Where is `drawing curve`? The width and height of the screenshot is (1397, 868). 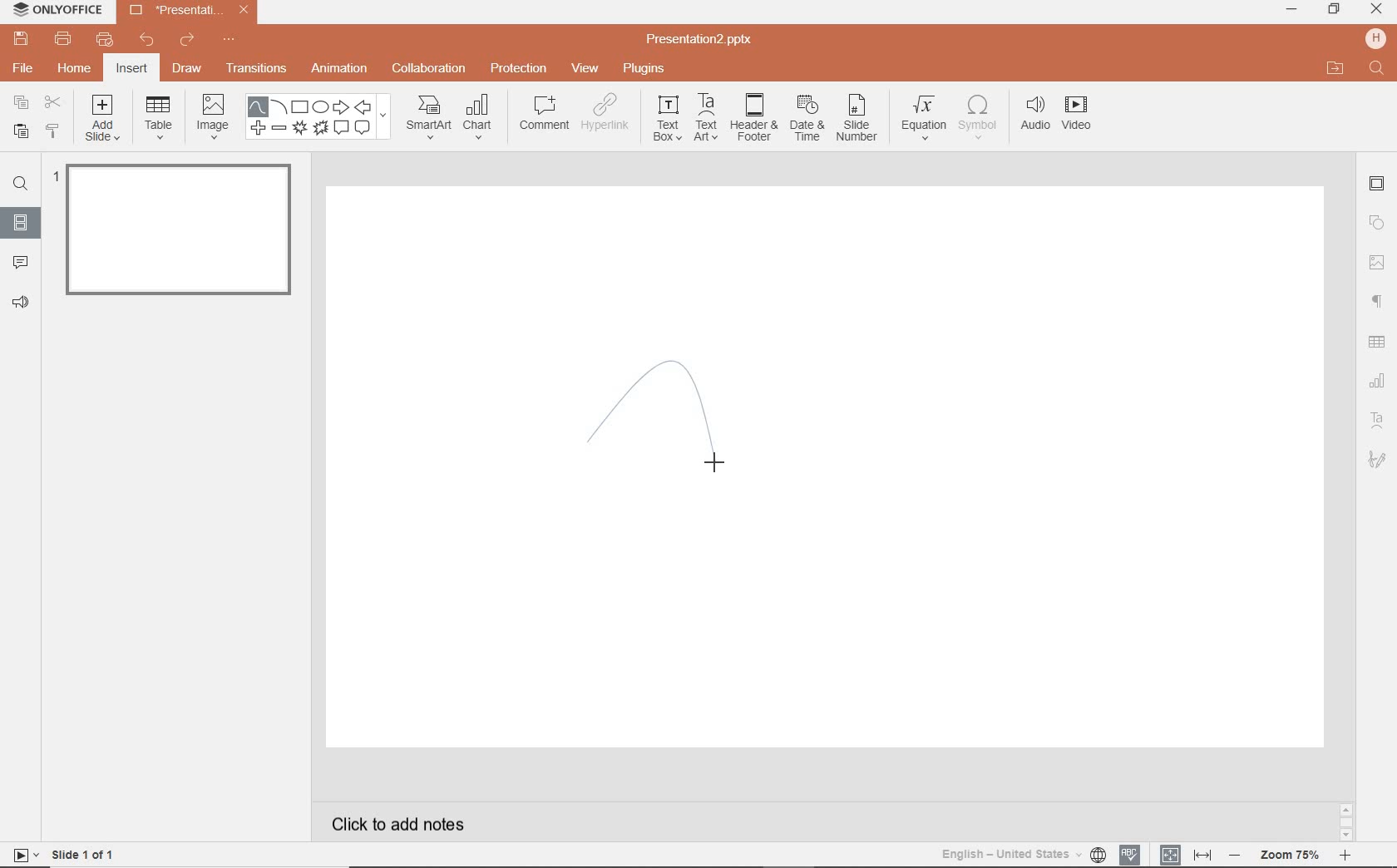
drawing curve is located at coordinates (649, 424).